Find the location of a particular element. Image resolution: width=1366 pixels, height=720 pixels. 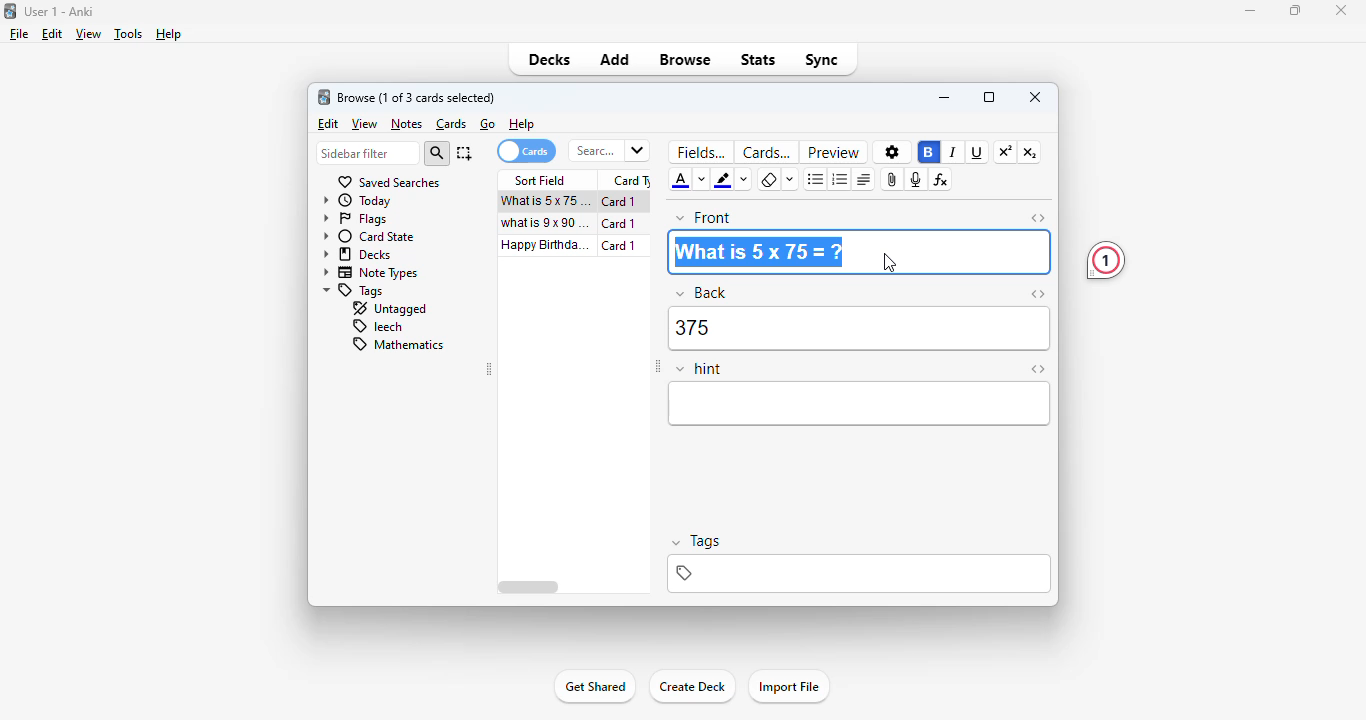

bold is located at coordinates (929, 152).